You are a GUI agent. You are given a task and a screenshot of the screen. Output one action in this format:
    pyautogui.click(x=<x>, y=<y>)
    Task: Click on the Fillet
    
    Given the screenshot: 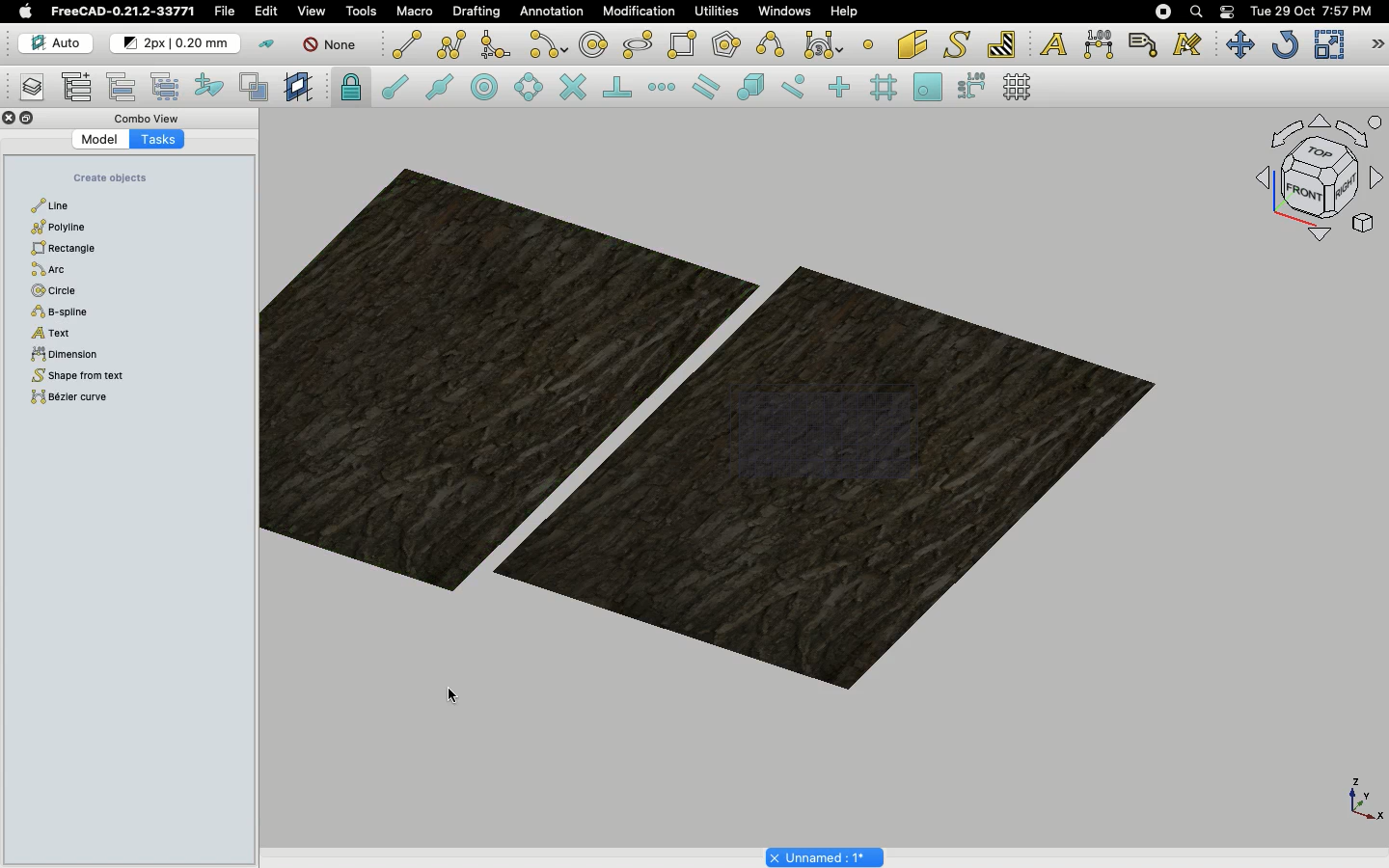 What is the action you would take?
    pyautogui.click(x=494, y=47)
    